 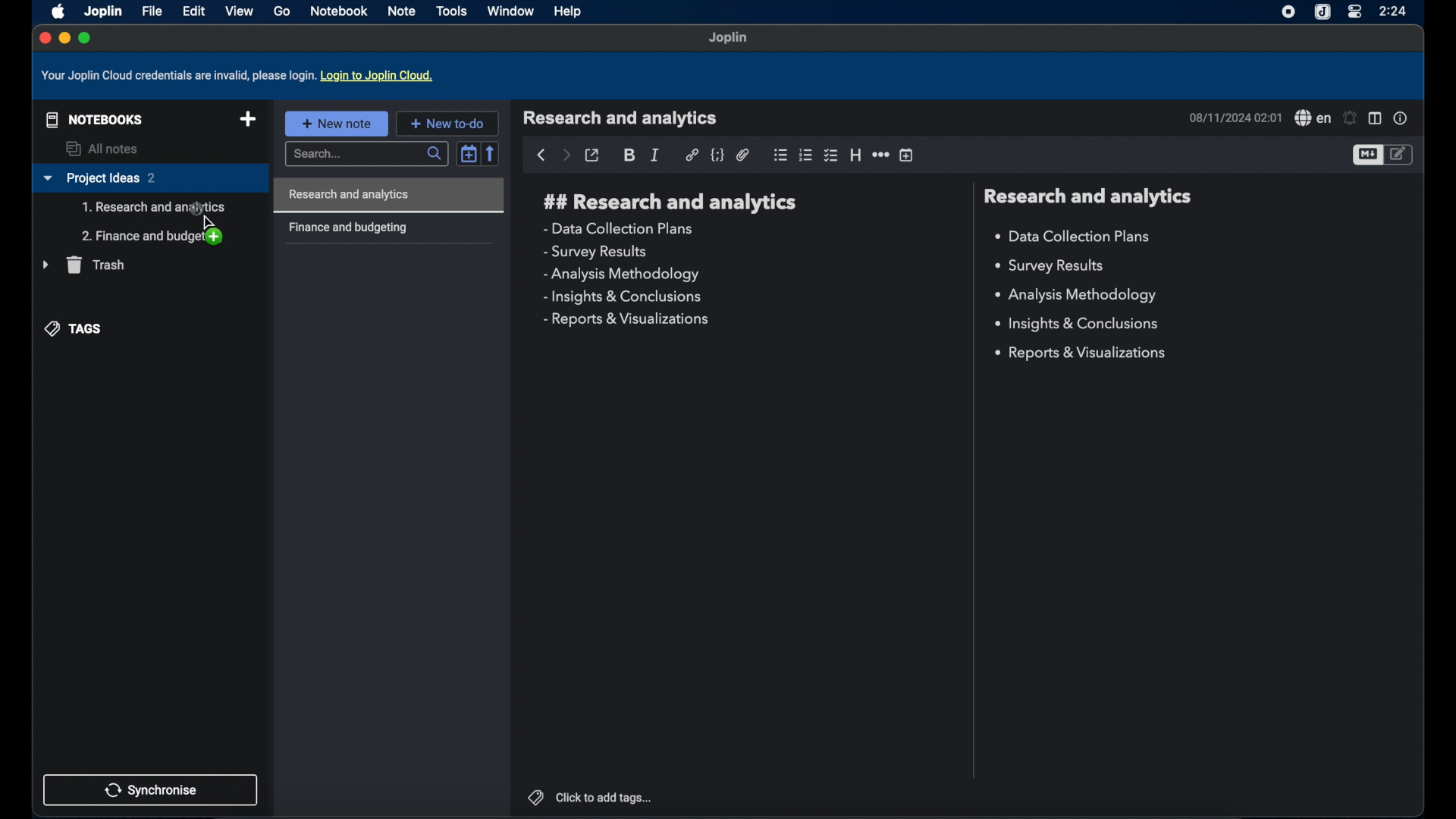 I want to click on research and analytics, so click(x=670, y=202).